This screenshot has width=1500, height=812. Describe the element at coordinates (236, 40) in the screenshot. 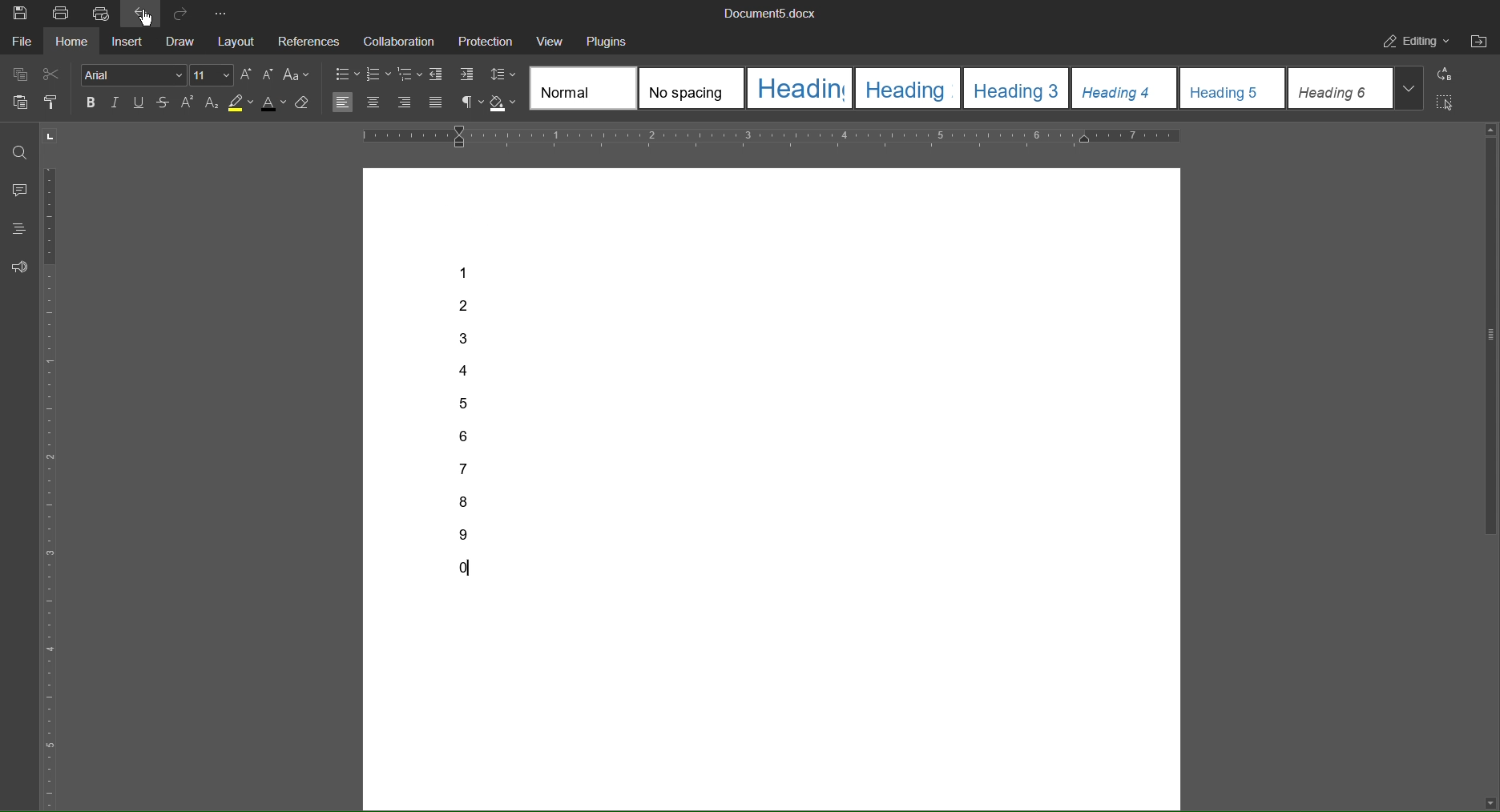

I see `Layout` at that location.